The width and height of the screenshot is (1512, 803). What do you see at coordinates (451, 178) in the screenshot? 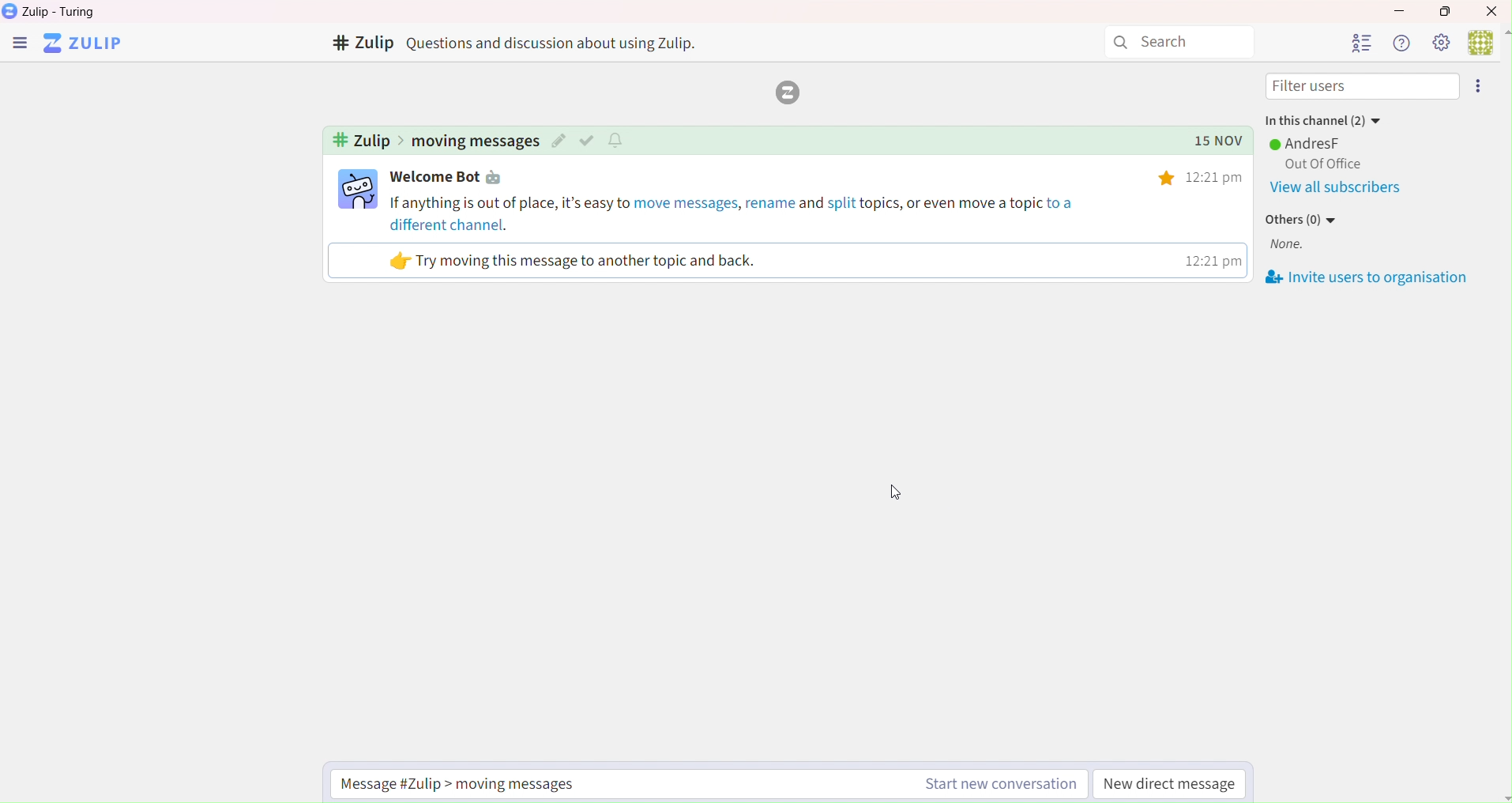
I see `Welcome Bot ` at bounding box center [451, 178].